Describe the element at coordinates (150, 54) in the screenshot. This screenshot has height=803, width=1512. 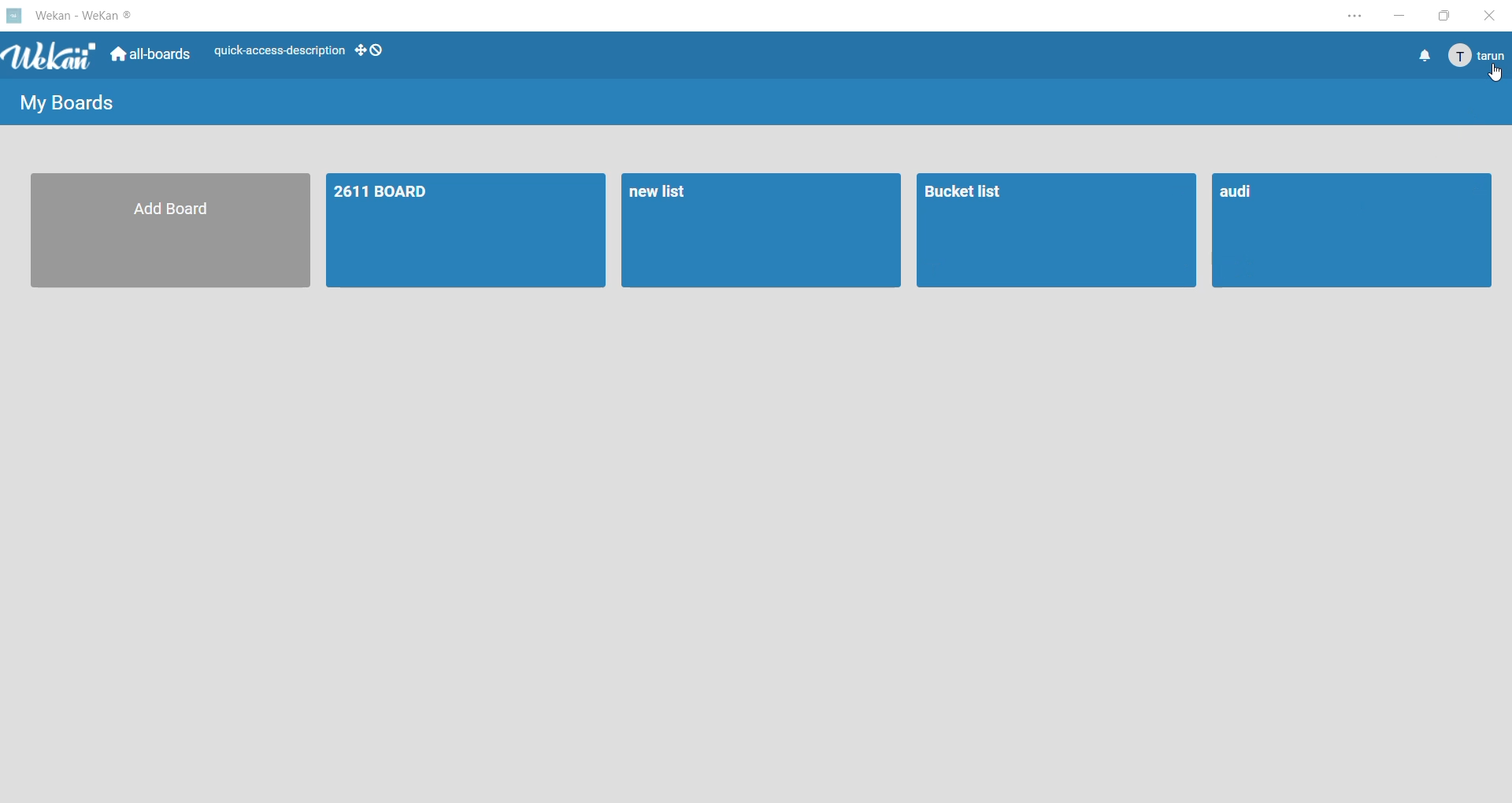
I see `all boards` at that location.